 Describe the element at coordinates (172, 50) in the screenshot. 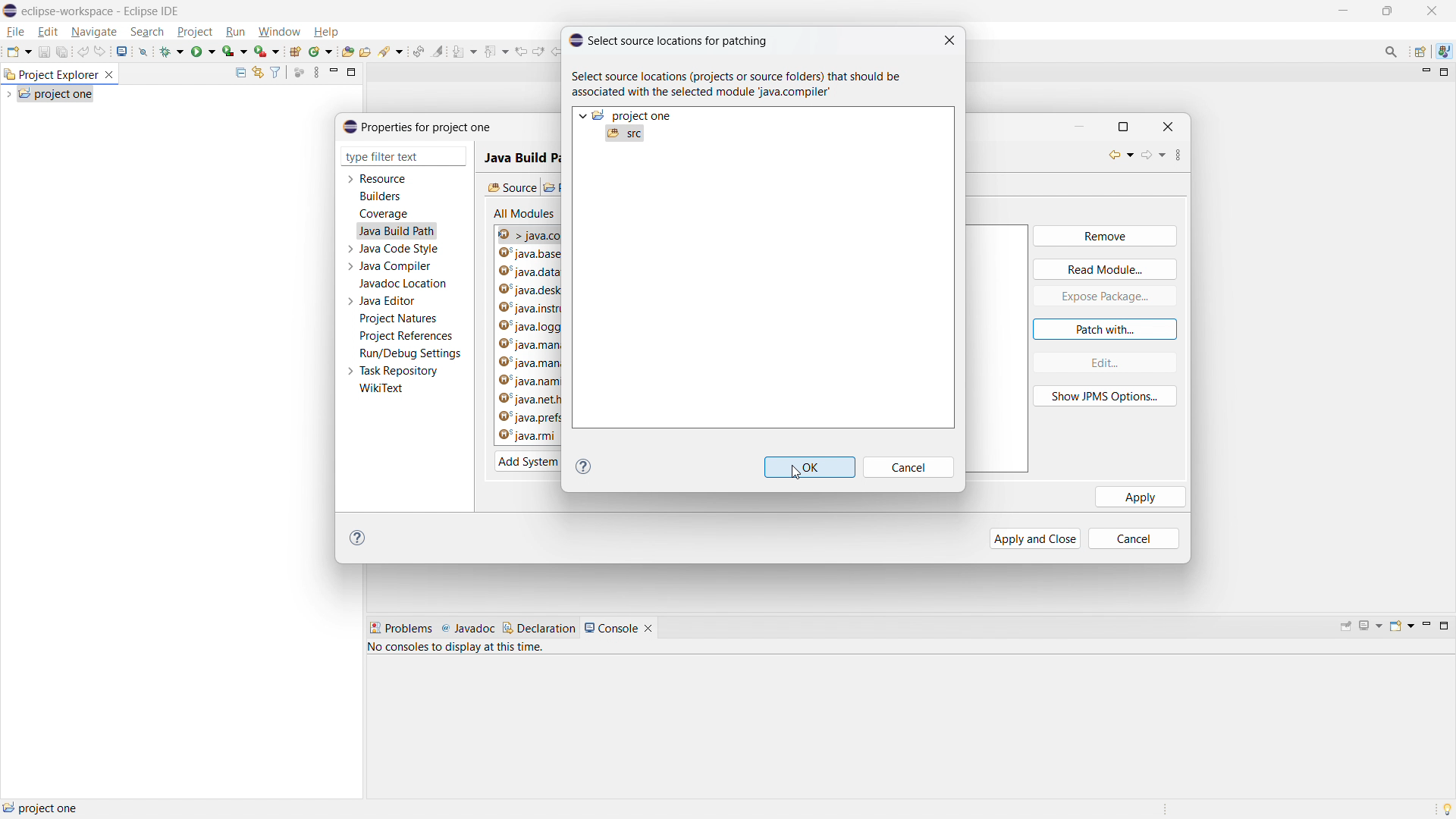

I see `debug` at that location.